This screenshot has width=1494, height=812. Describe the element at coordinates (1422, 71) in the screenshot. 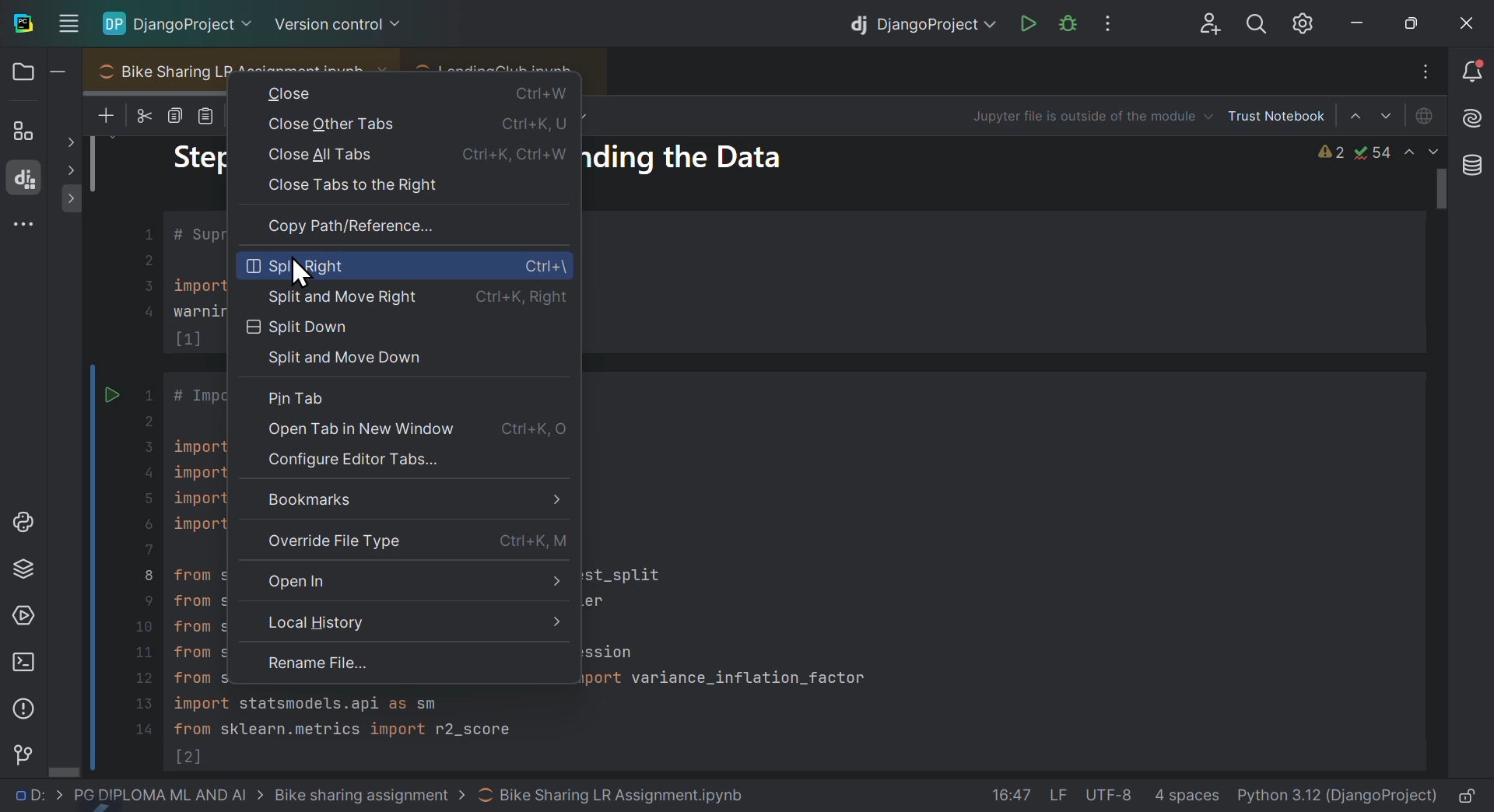

I see `` at that location.